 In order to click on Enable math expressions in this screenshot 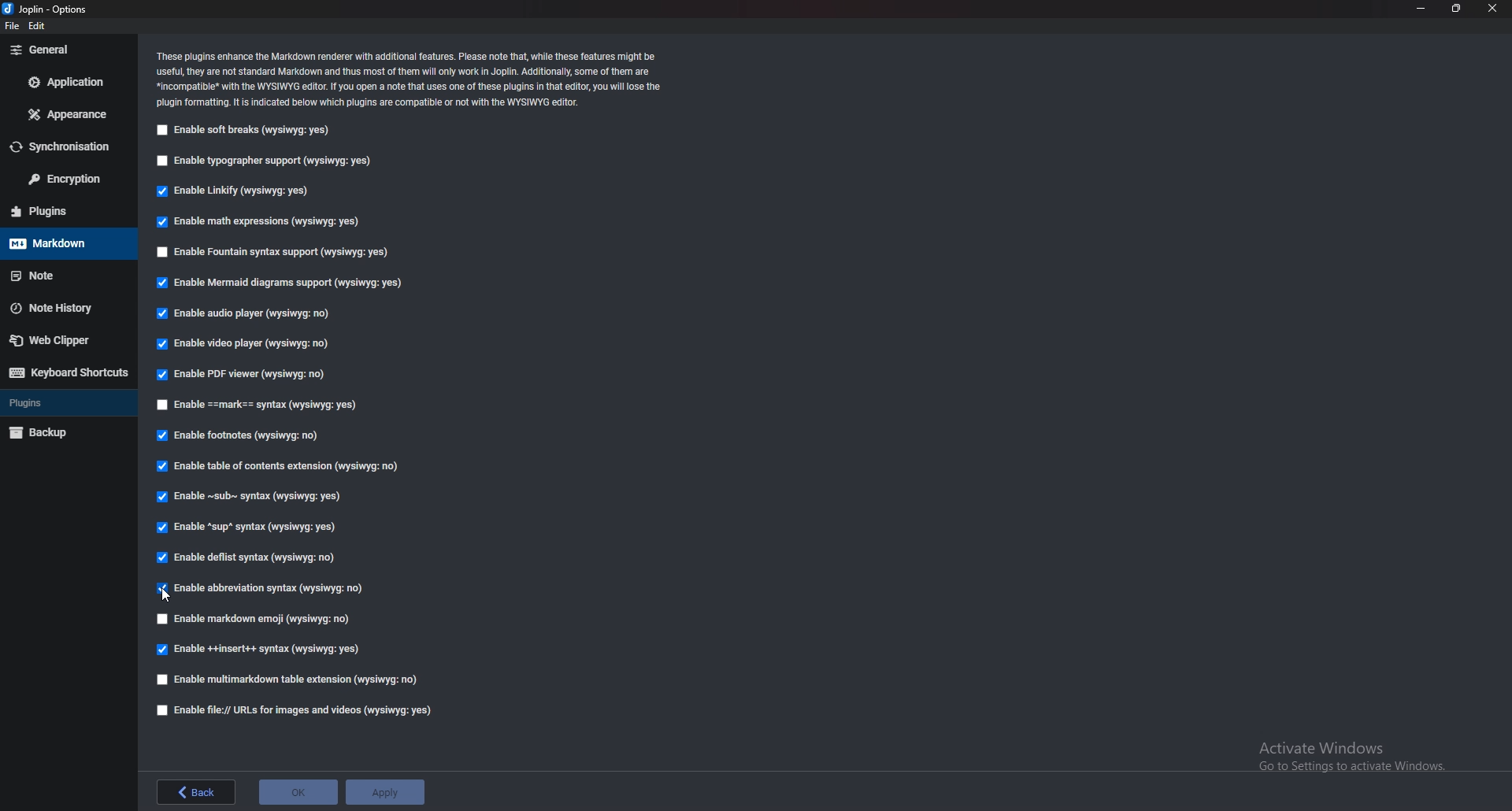, I will do `click(256, 222)`.